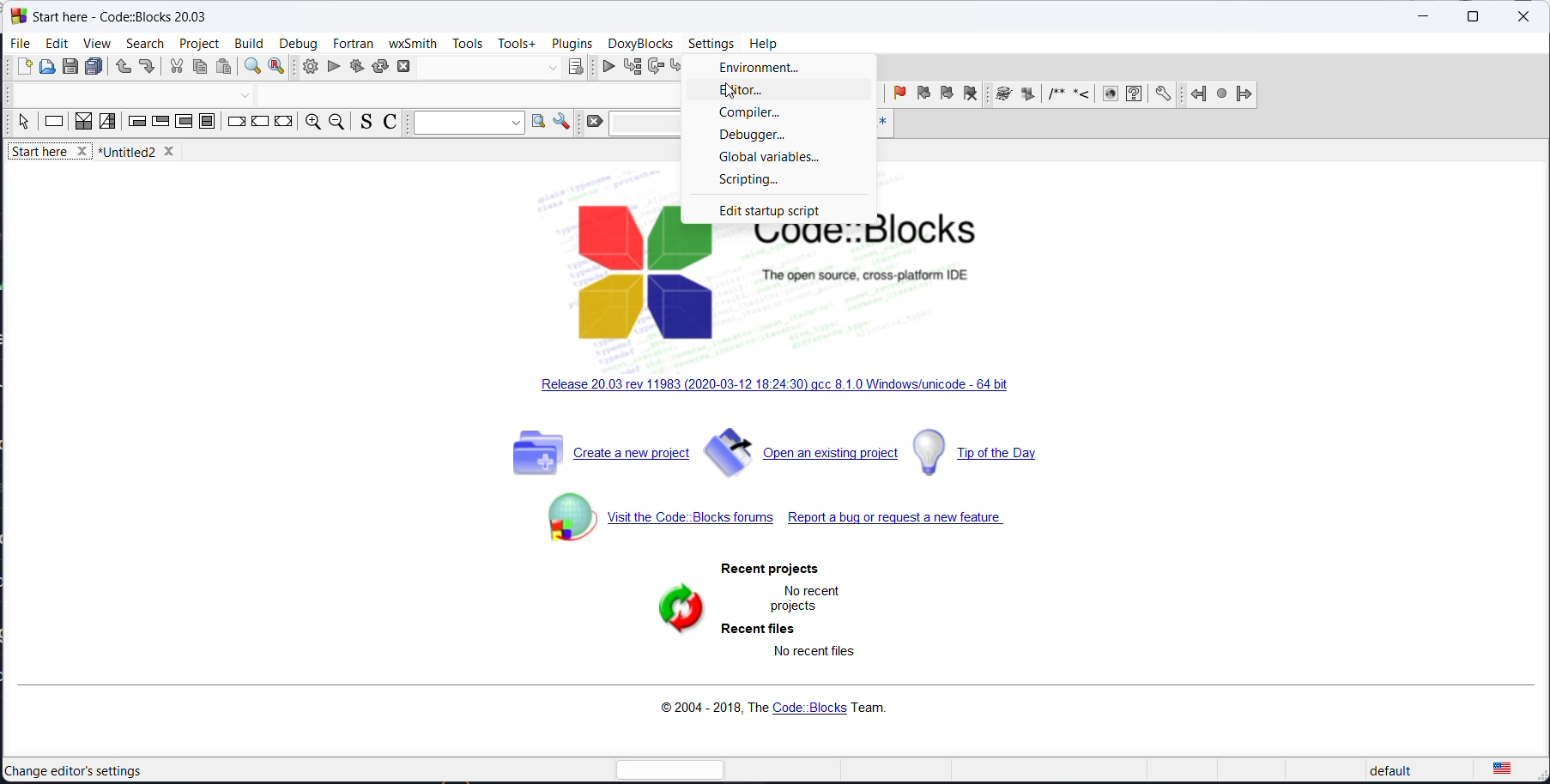  Describe the element at coordinates (353, 43) in the screenshot. I see `fortran` at that location.